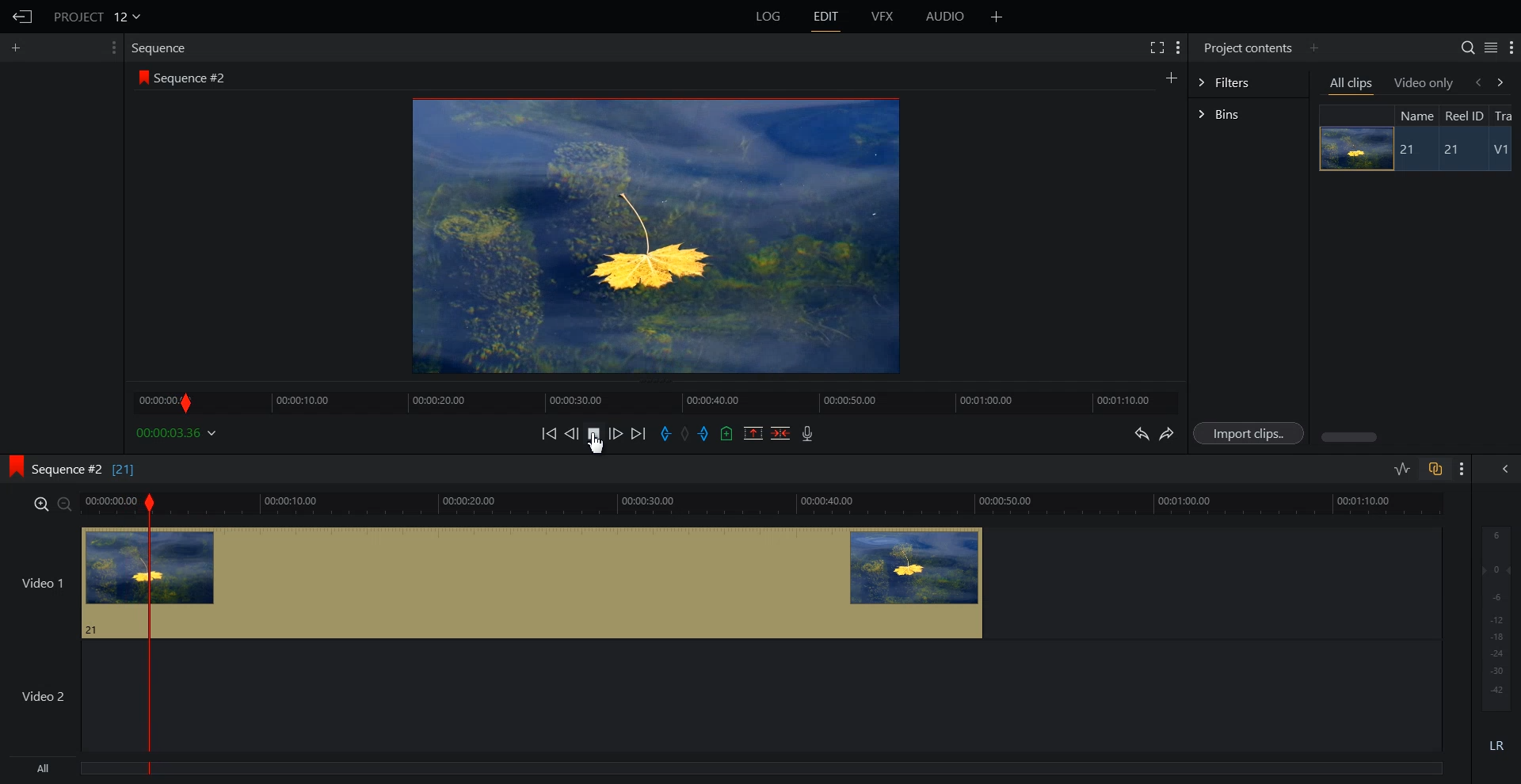  Describe the element at coordinates (596, 433) in the screenshot. I see `Play` at that location.